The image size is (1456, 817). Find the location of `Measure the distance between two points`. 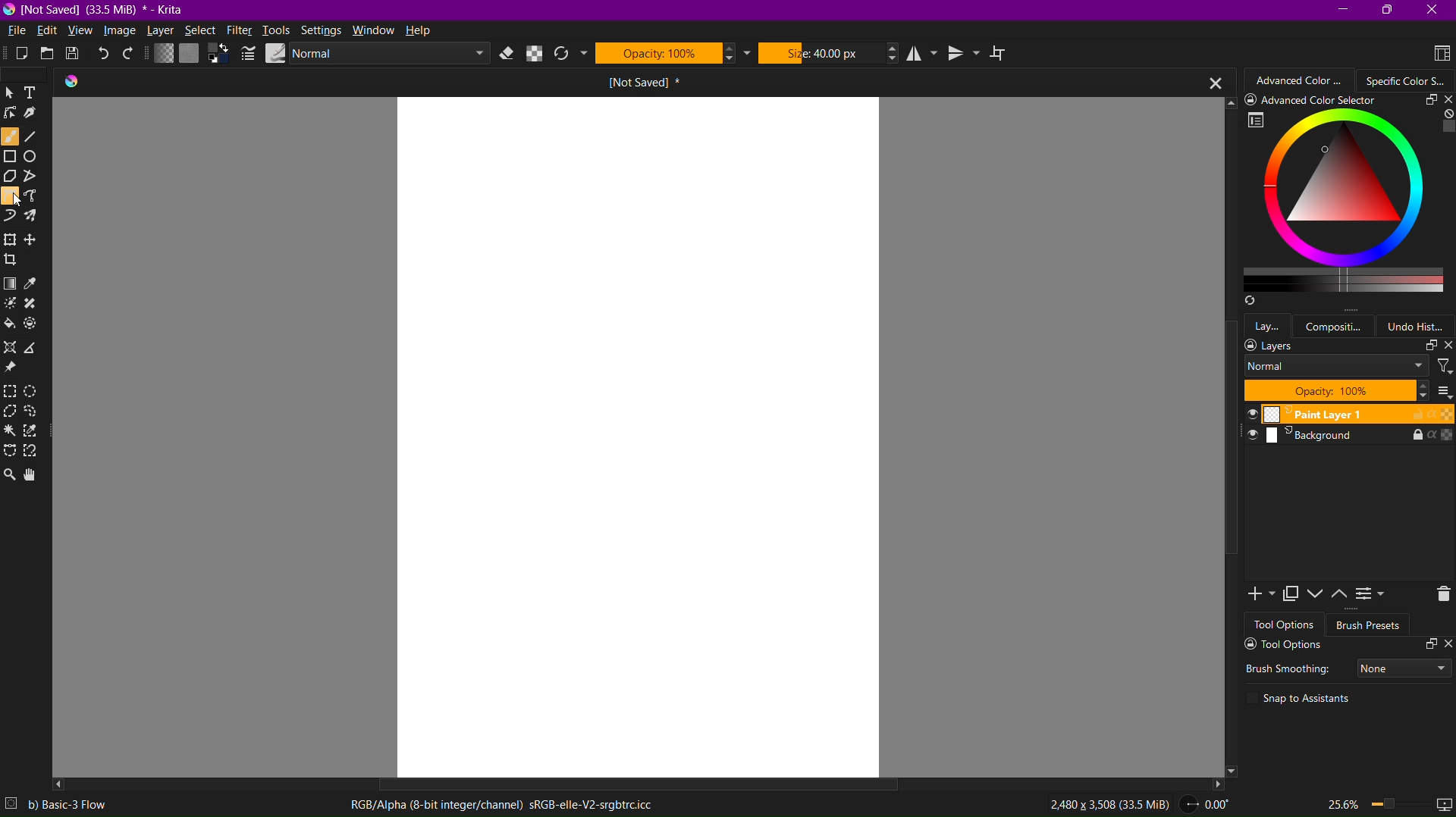

Measure the distance between two points is located at coordinates (35, 348).